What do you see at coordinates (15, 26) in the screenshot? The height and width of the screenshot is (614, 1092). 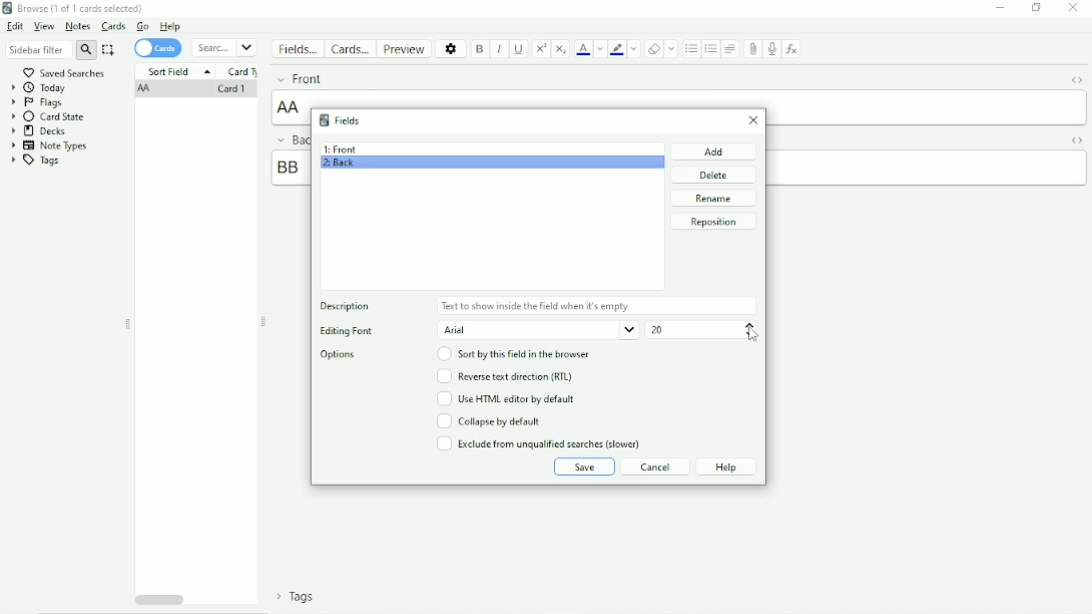 I see `Edit` at bounding box center [15, 26].